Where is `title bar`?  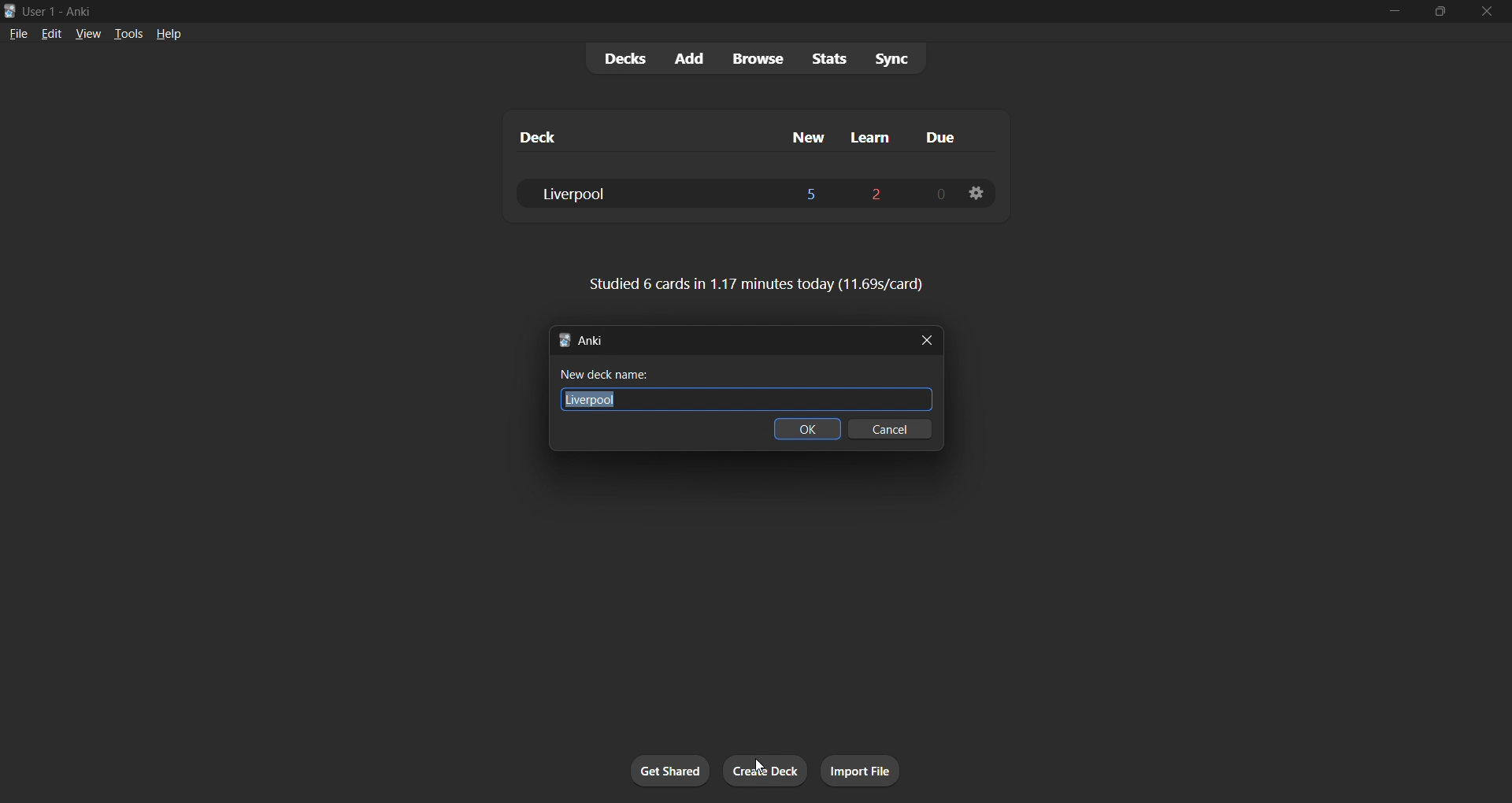 title bar is located at coordinates (668, 12).